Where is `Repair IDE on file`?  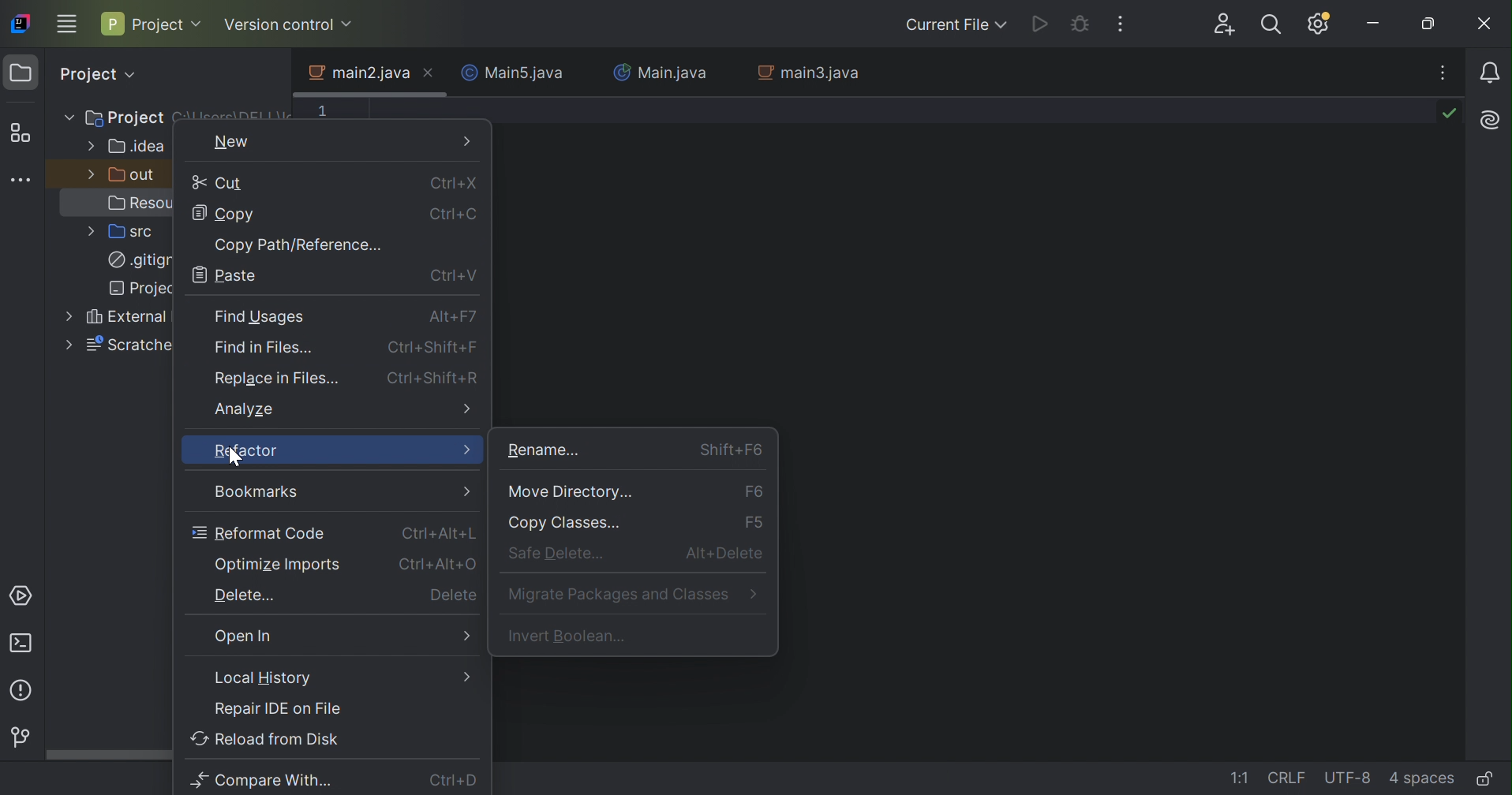
Repair IDE on file is located at coordinates (276, 709).